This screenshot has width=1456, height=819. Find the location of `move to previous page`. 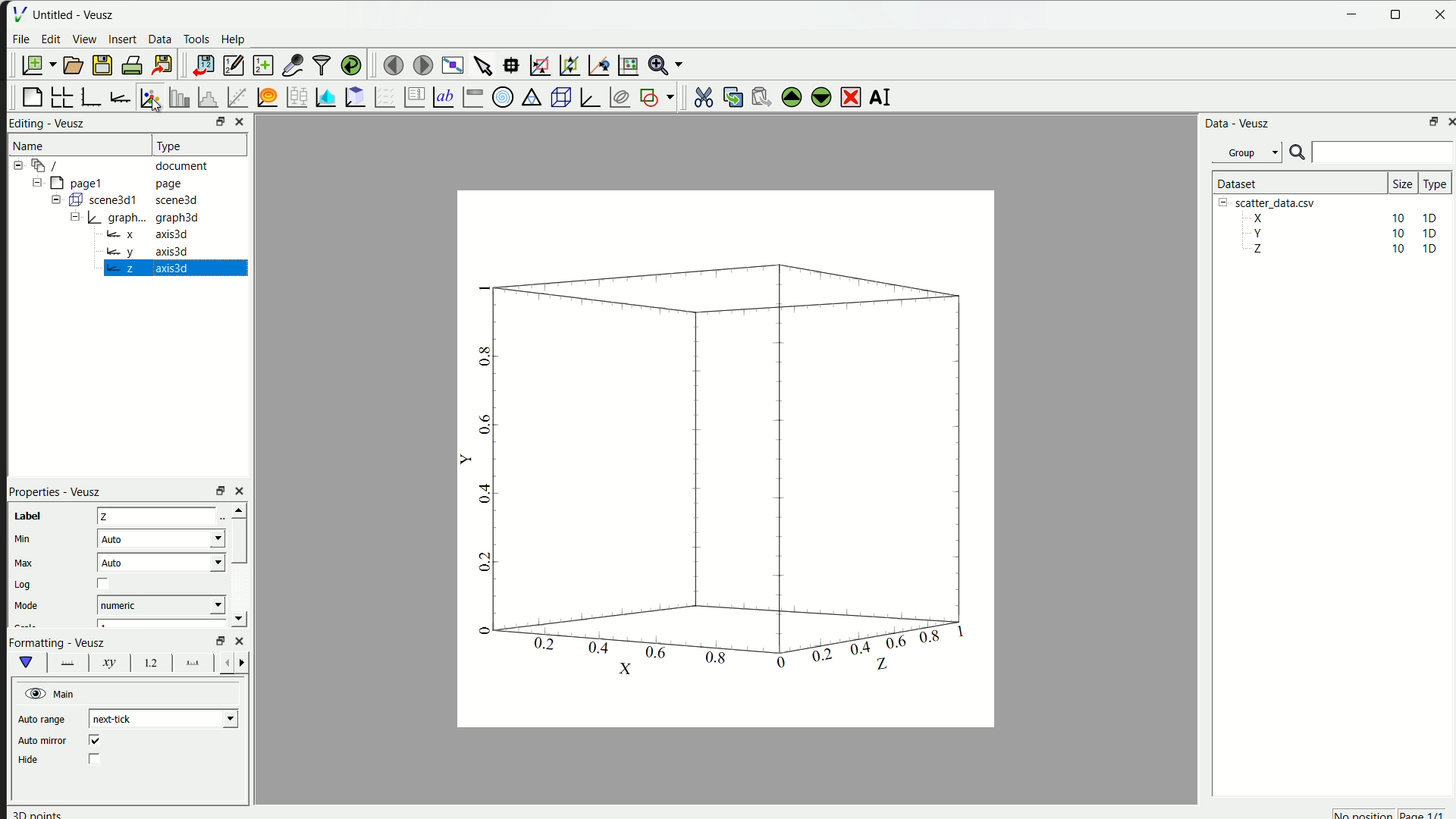

move to previous page is located at coordinates (391, 63).